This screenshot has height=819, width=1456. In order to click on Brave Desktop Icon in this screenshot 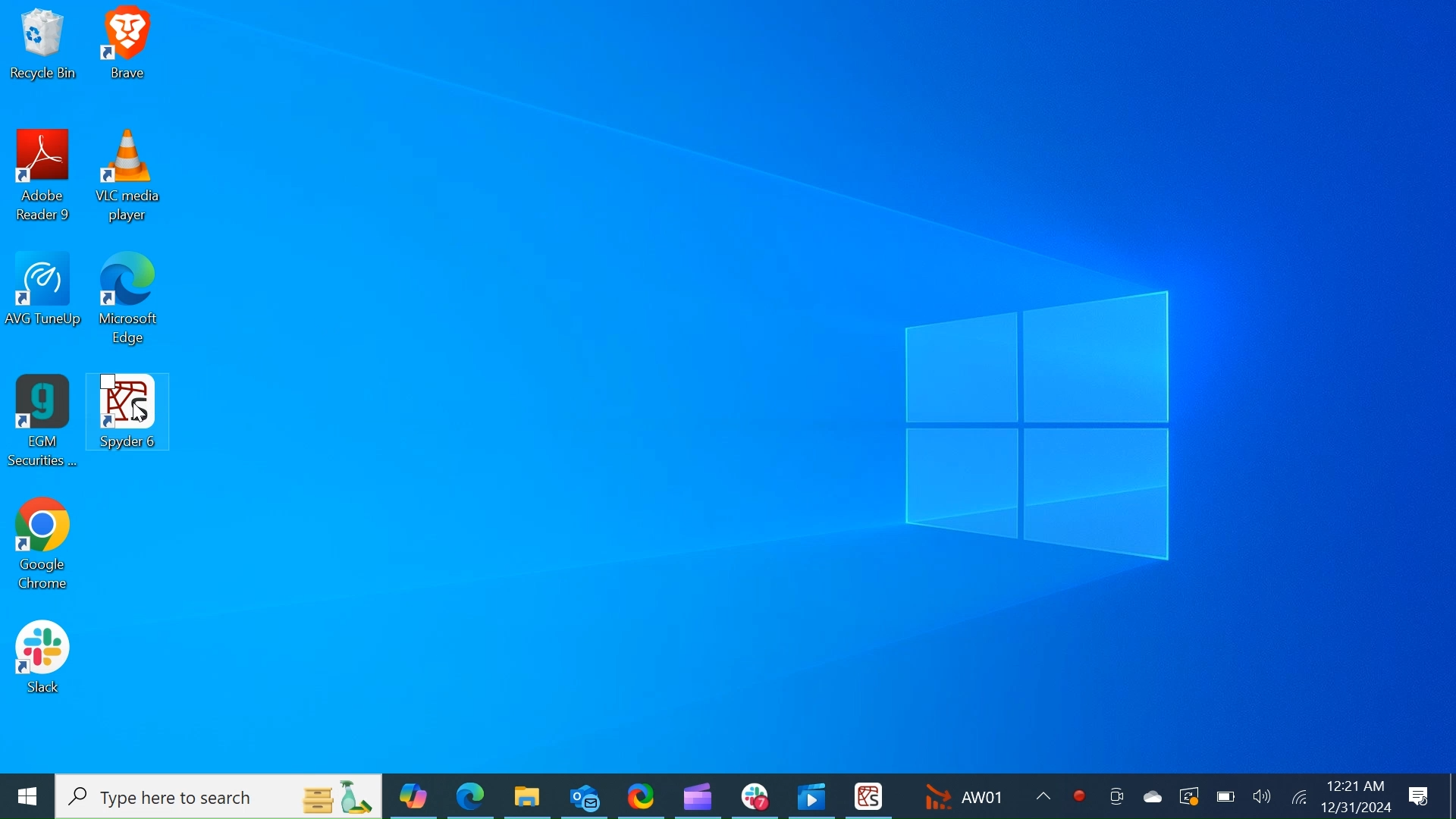, I will do `click(127, 45)`.